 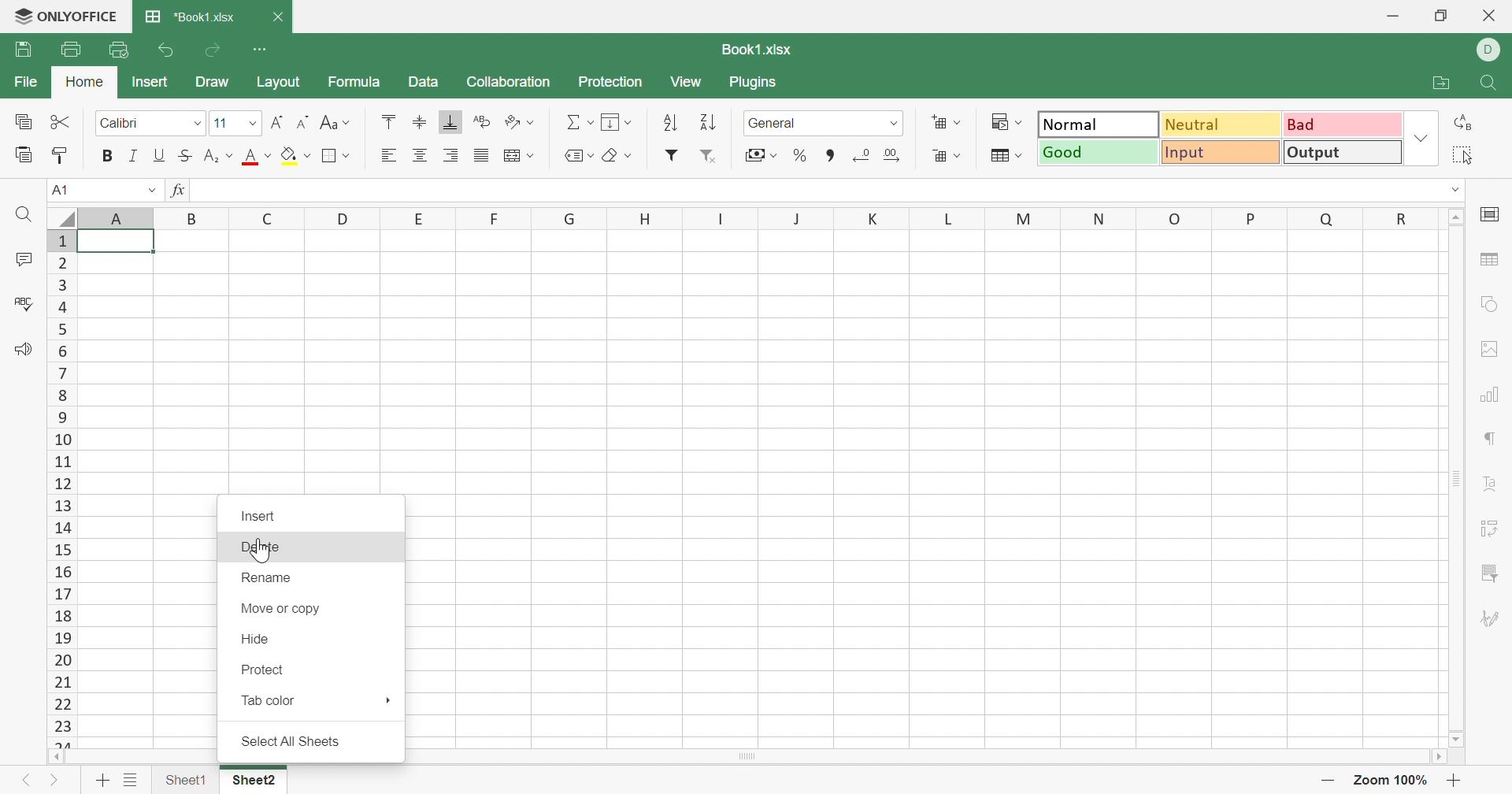 I want to click on cursor, so click(x=261, y=548).